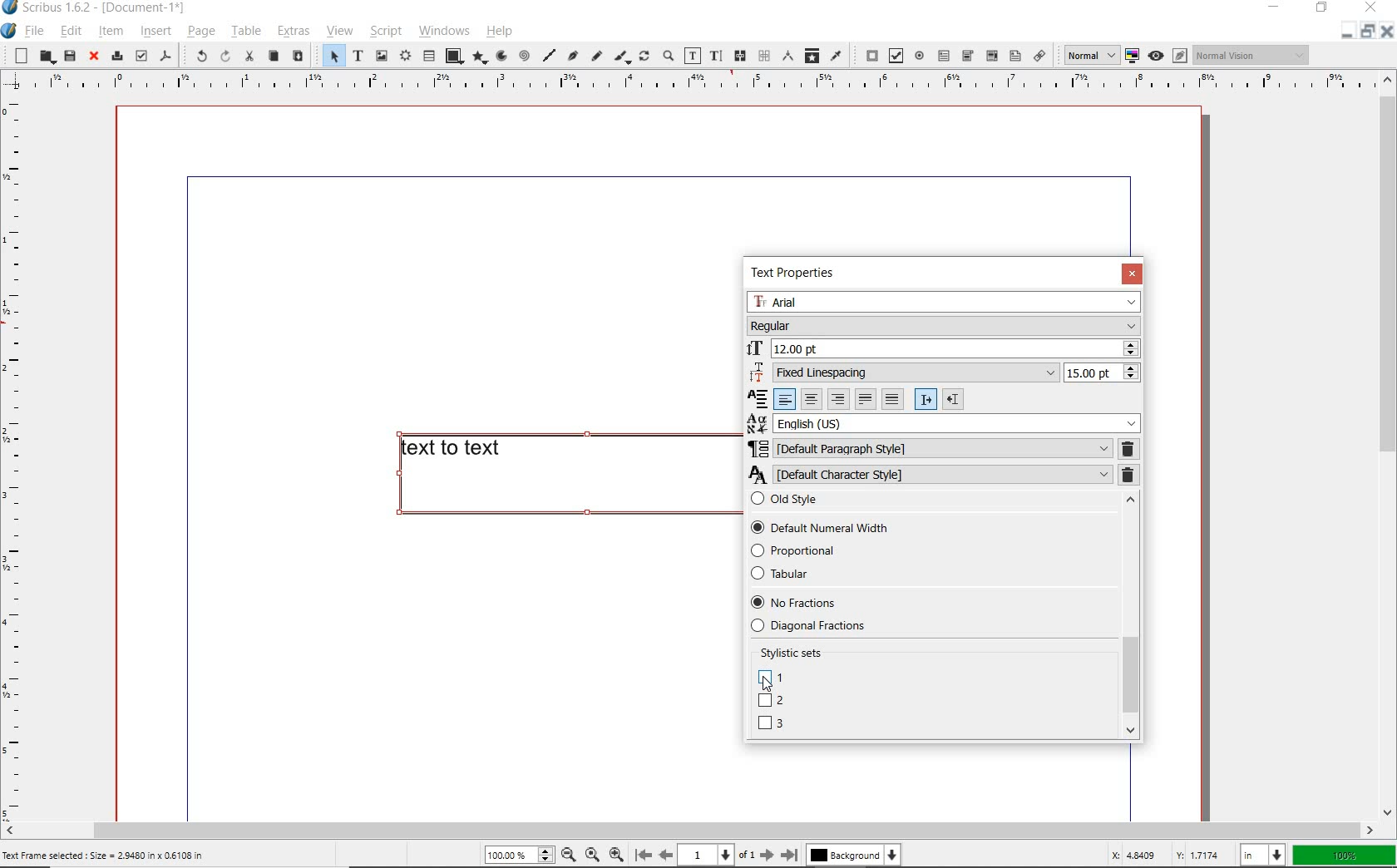  Describe the element at coordinates (668, 57) in the screenshot. I see `zoom in or zoom out` at that location.